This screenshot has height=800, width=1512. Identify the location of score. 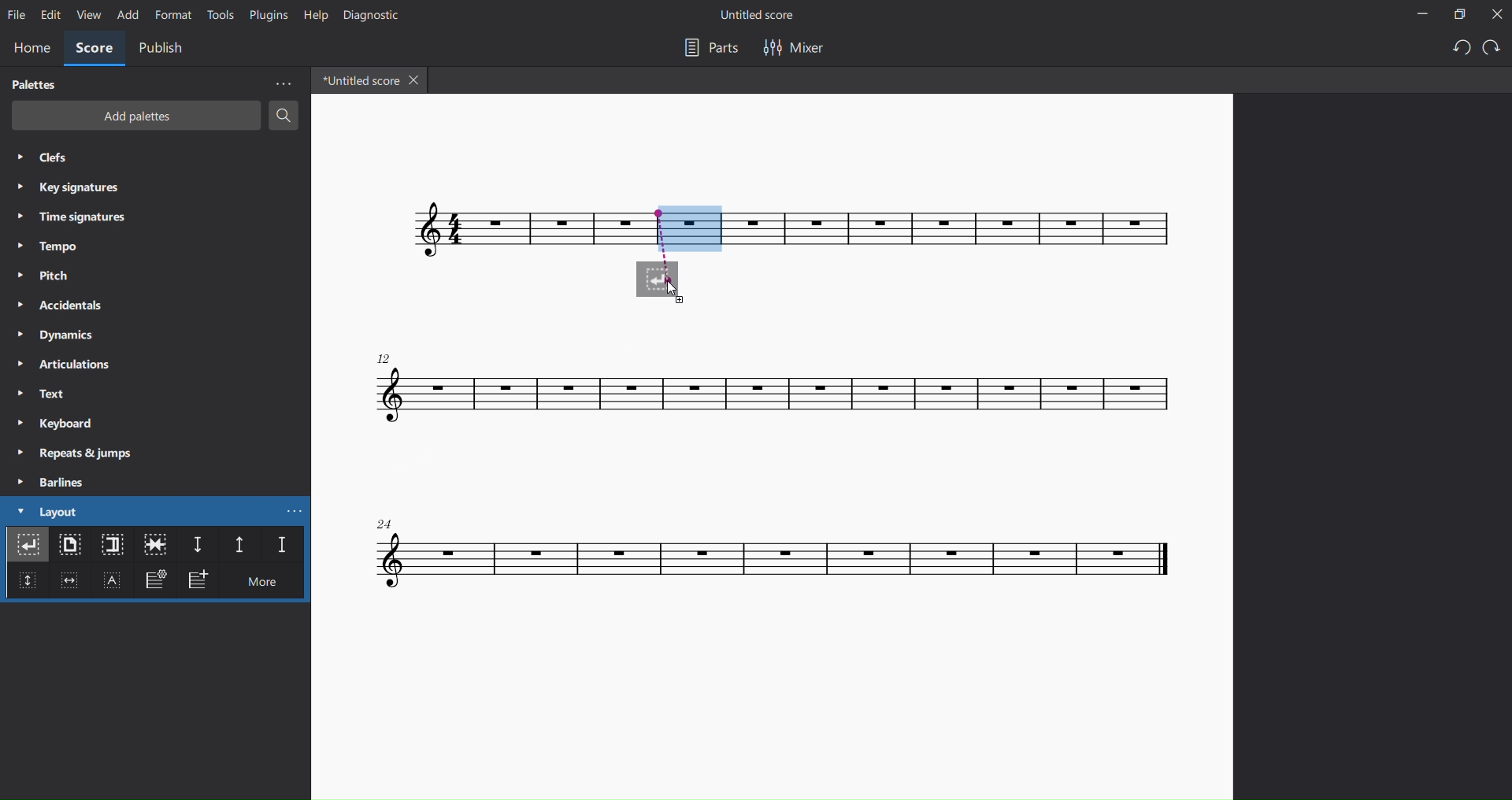
(94, 50).